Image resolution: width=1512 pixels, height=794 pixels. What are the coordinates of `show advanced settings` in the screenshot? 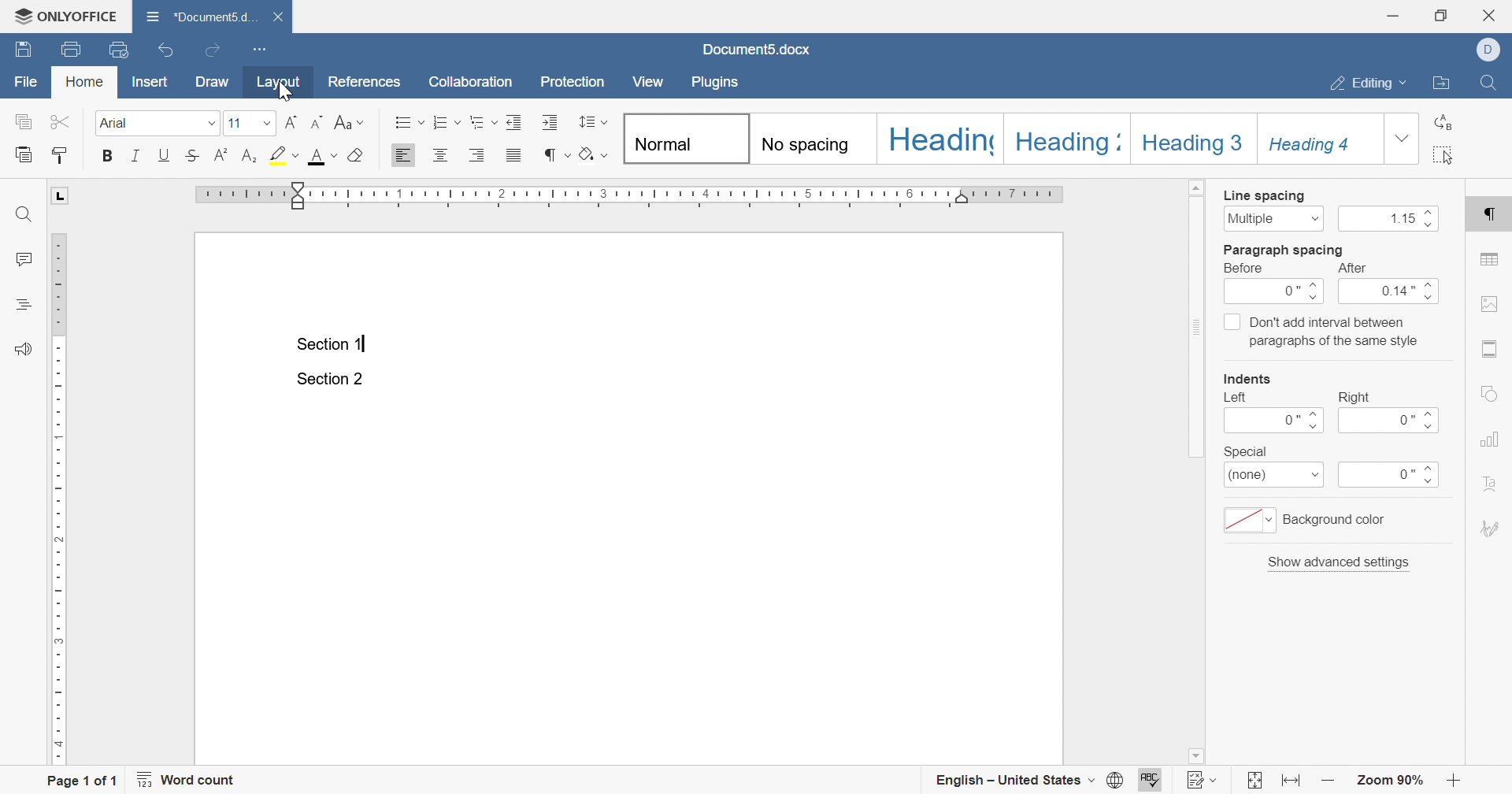 It's located at (1340, 562).